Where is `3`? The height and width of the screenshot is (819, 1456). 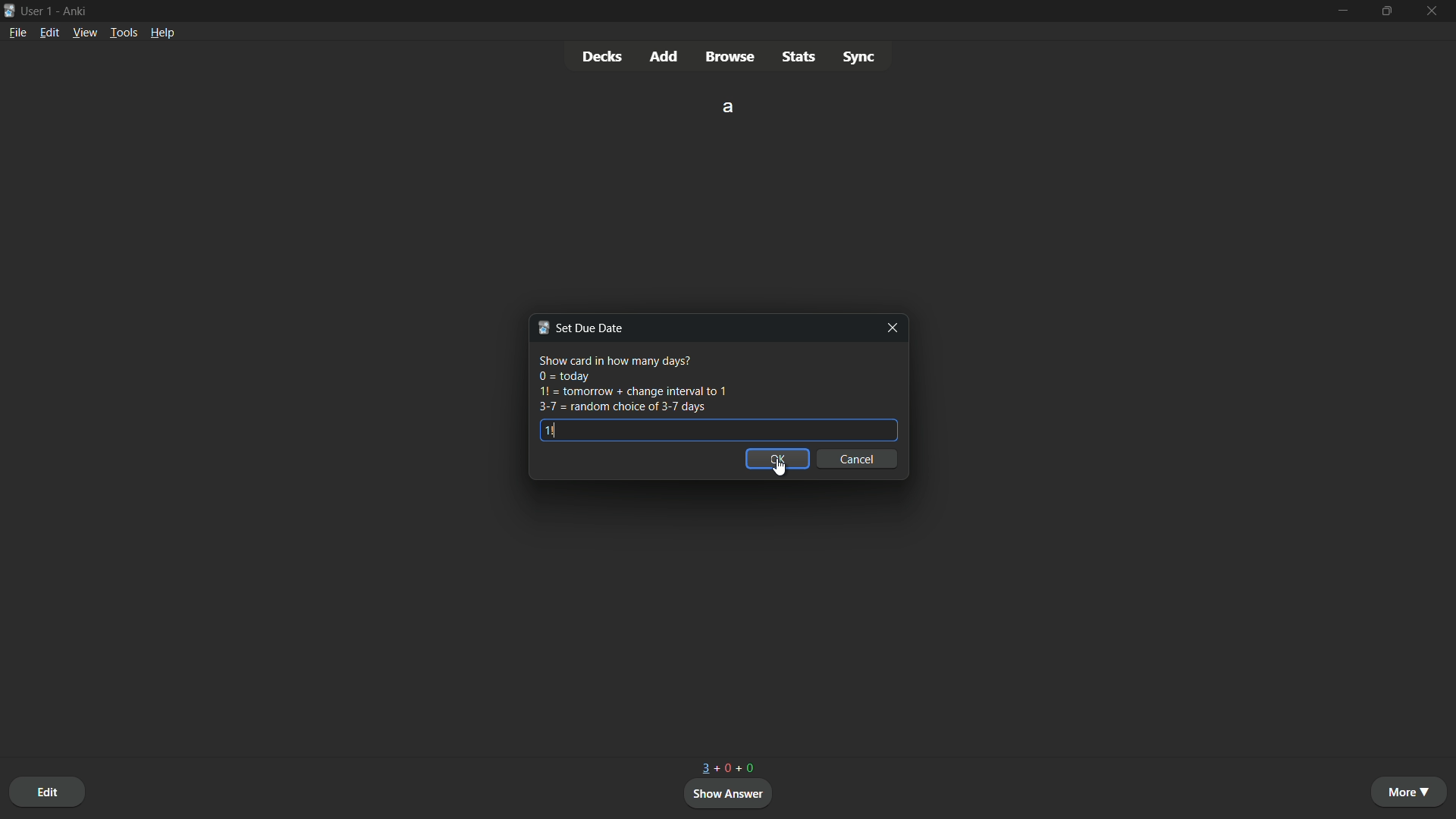 3 is located at coordinates (707, 768).